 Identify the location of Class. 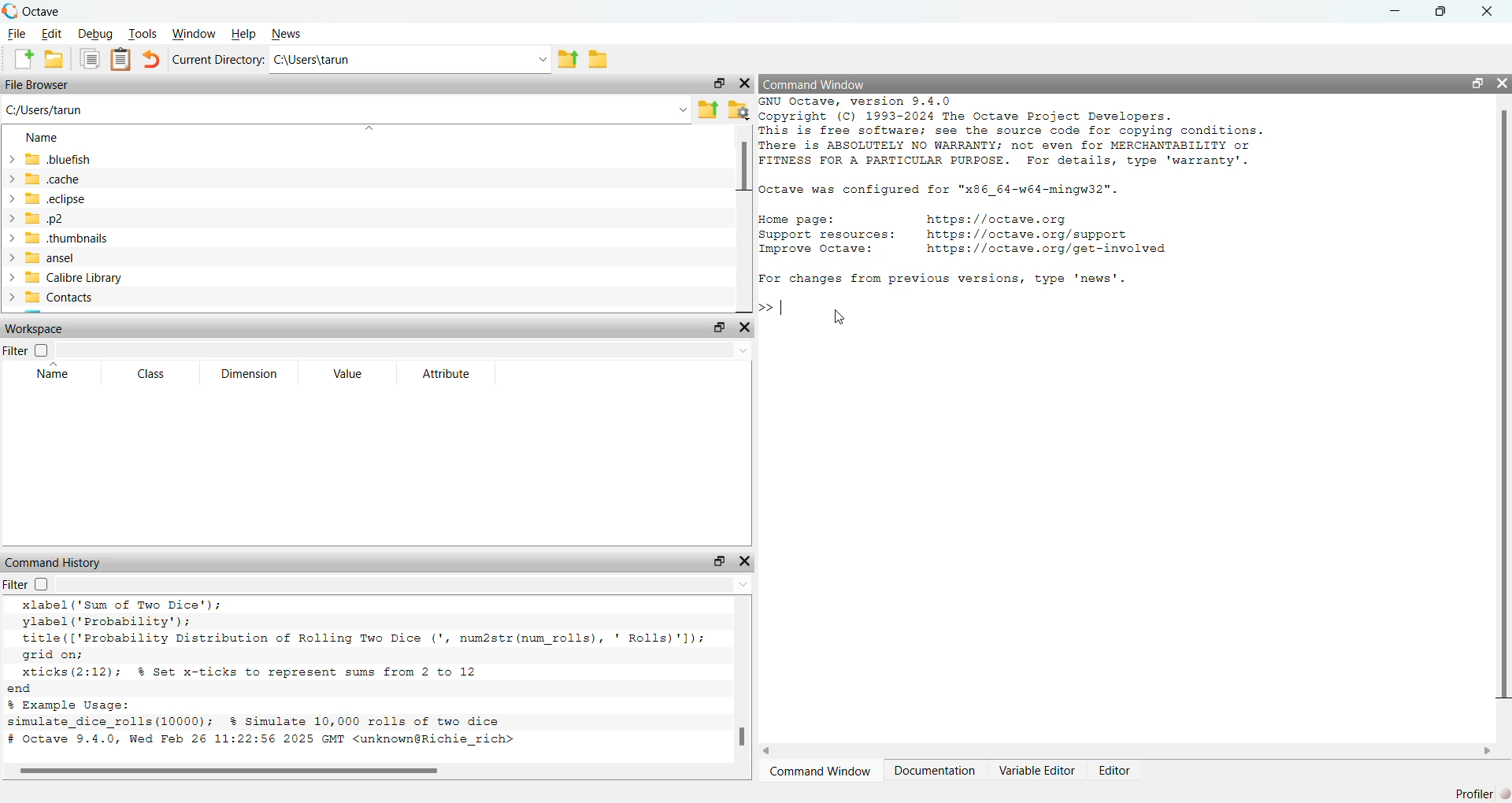
(151, 375).